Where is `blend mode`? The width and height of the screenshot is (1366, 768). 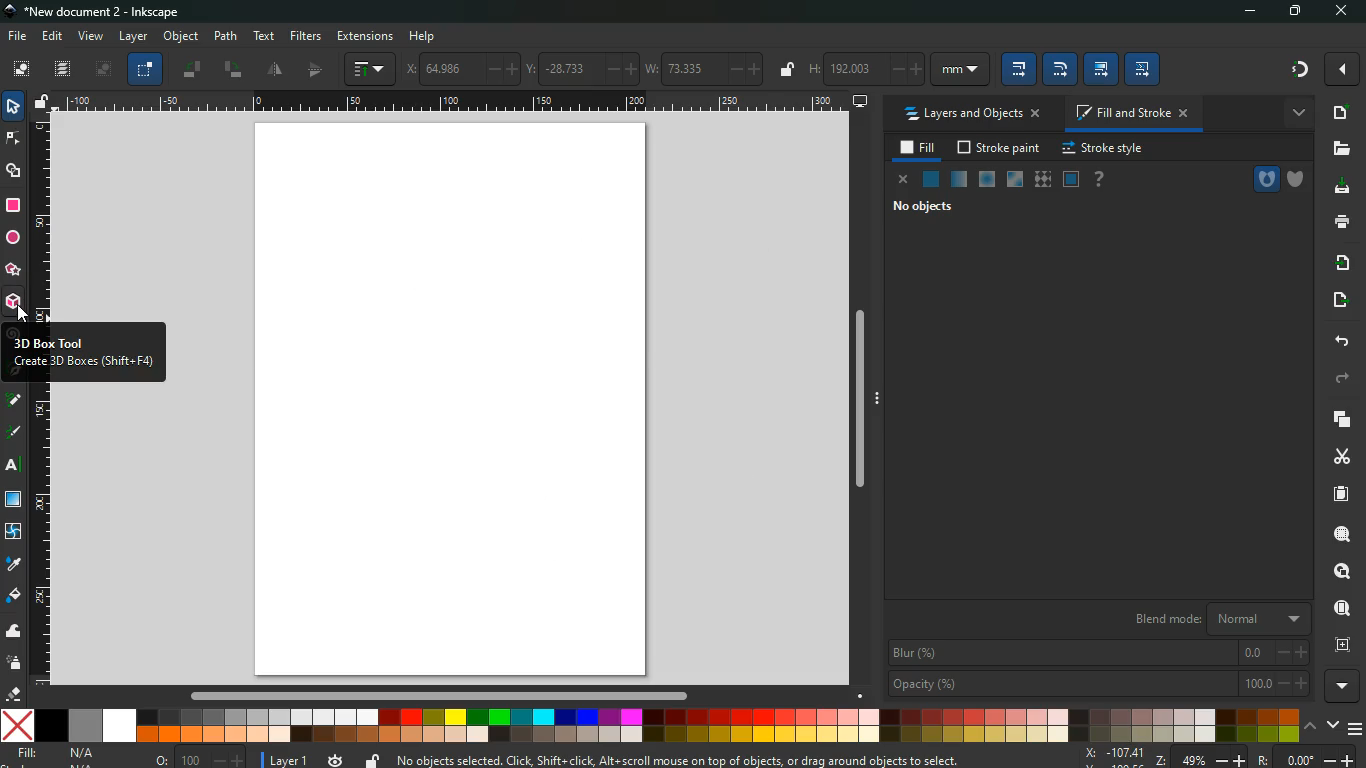 blend mode is located at coordinates (1211, 619).